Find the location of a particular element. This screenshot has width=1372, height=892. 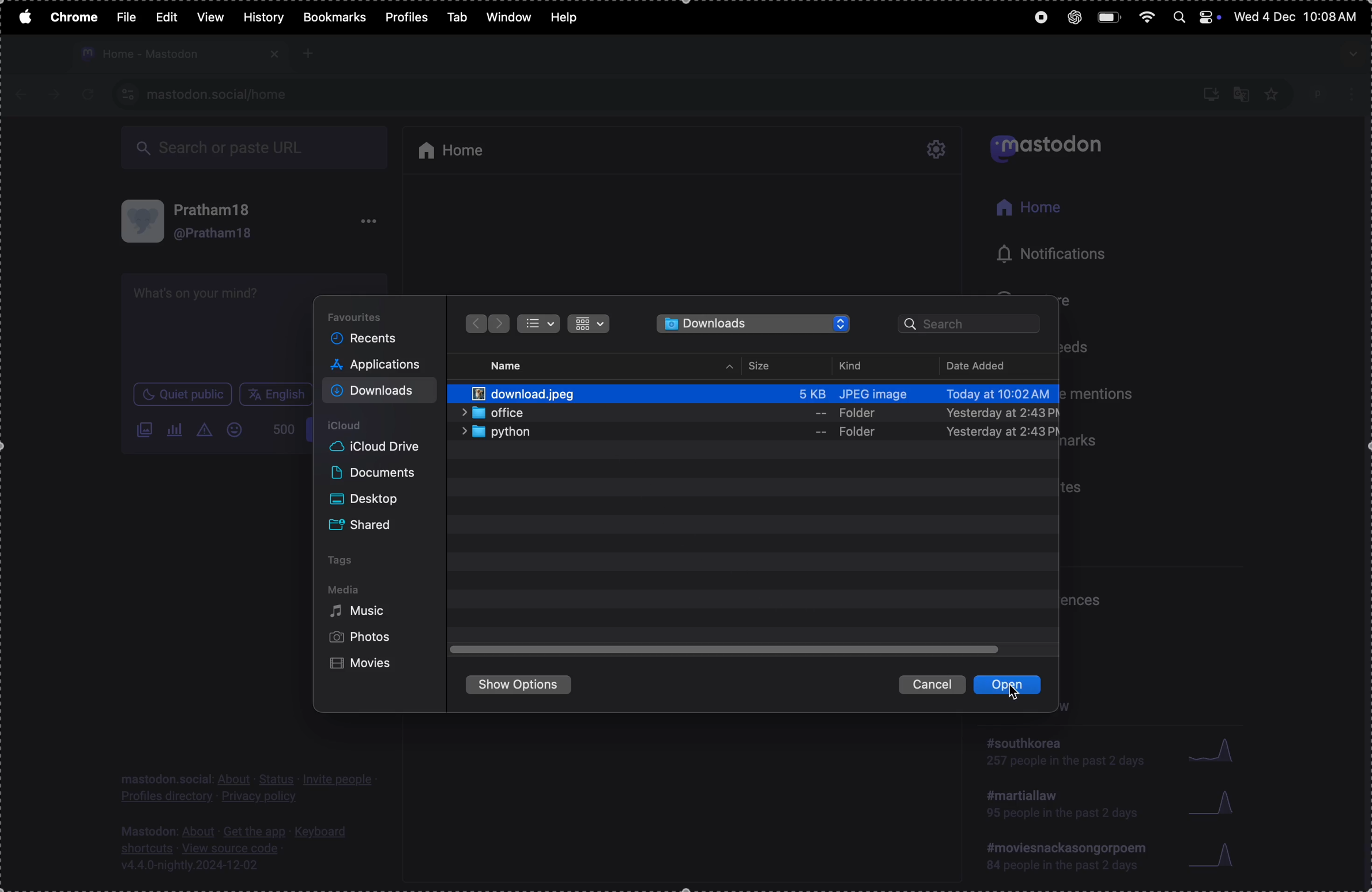

Recent is located at coordinates (369, 339).